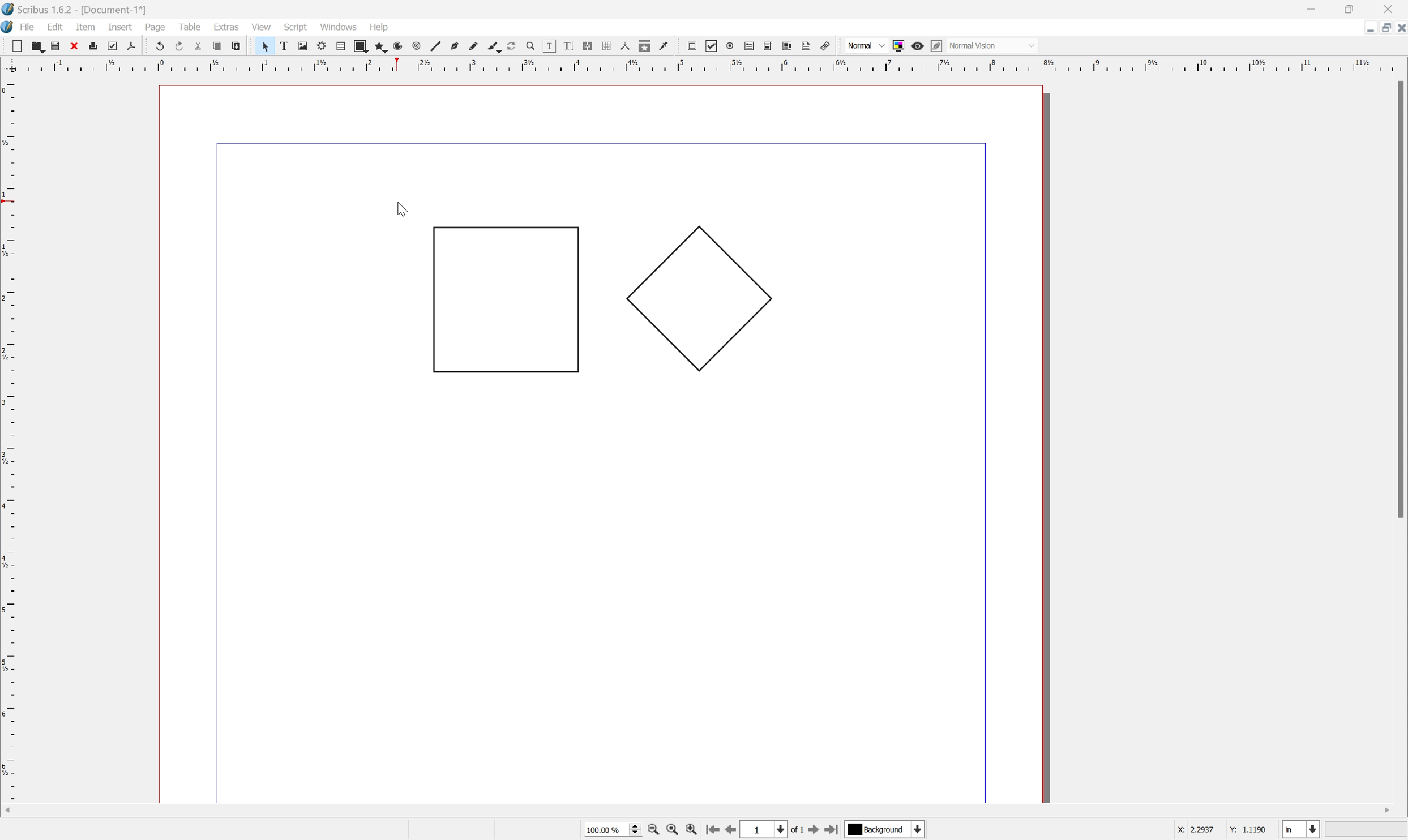 The width and height of the screenshot is (1408, 840). Describe the element at coordinates (52, 44) in the screenshot. I see `save` at that location.